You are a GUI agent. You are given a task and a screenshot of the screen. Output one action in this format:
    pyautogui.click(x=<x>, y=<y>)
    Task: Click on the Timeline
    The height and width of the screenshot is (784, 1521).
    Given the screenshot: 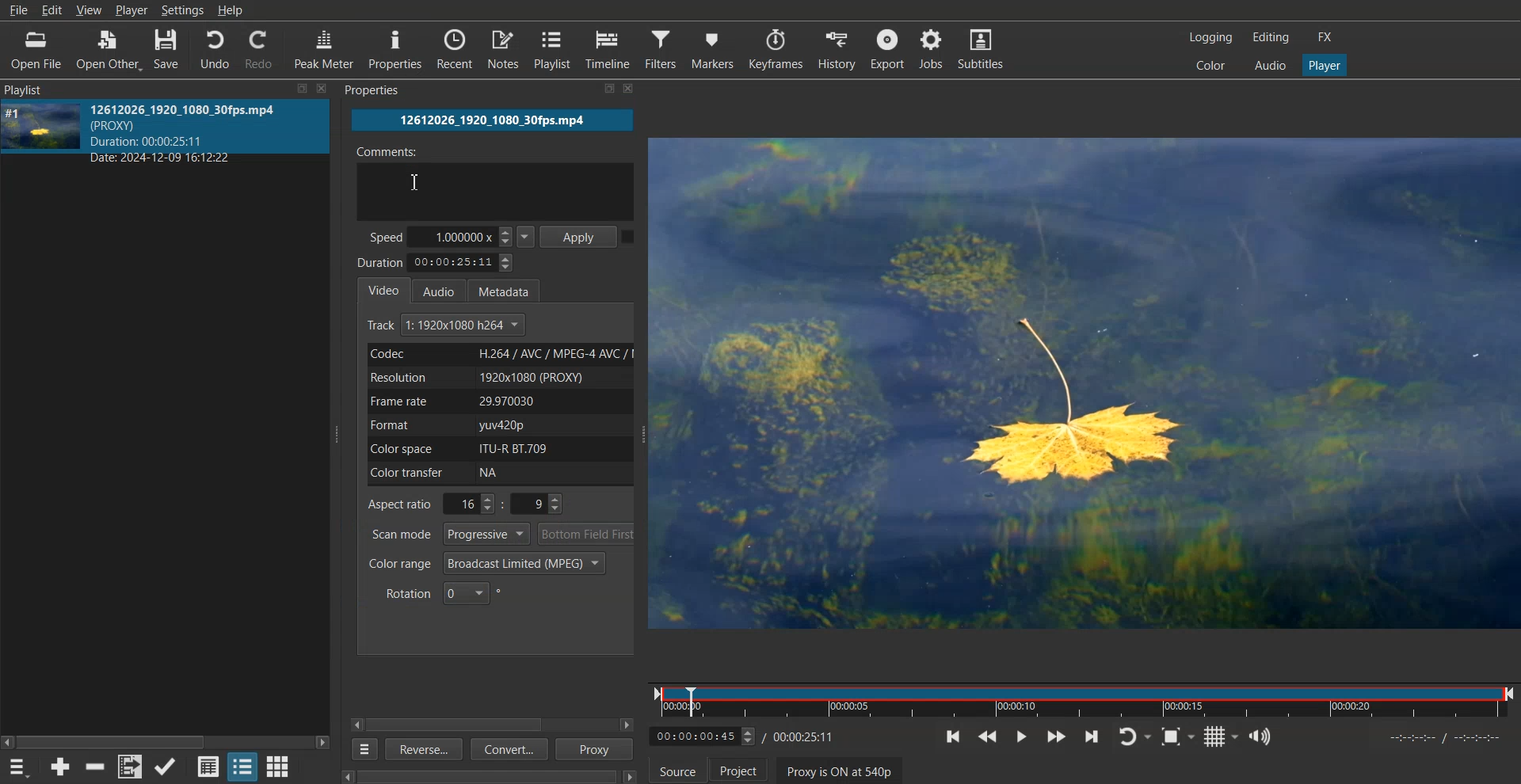 What is the action you would take?
    pyautogui.click(x=1083, y=698)
    